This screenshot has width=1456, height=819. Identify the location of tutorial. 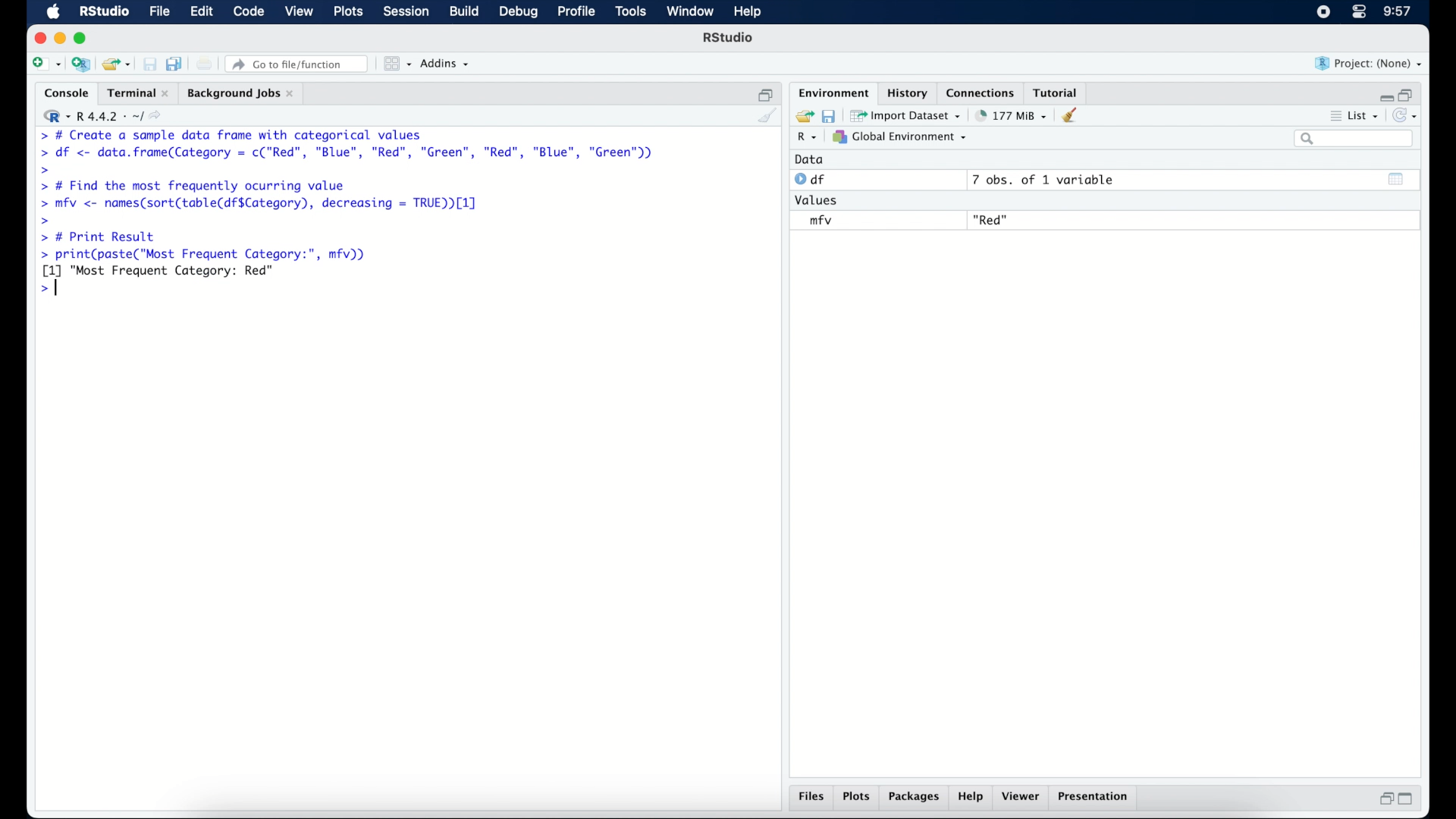
(1059, 92).